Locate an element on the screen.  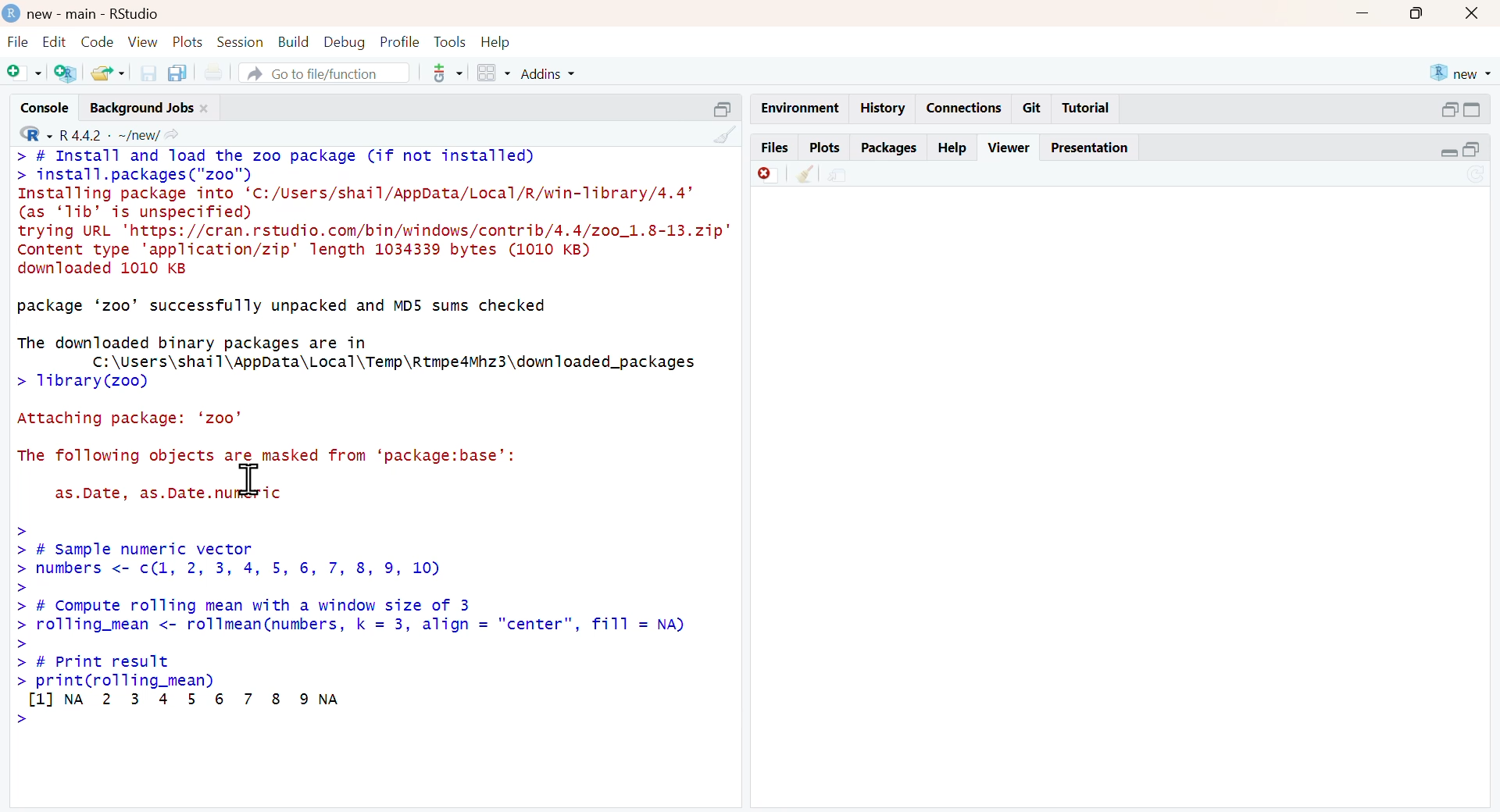
console is located at coordinates (46, 109).